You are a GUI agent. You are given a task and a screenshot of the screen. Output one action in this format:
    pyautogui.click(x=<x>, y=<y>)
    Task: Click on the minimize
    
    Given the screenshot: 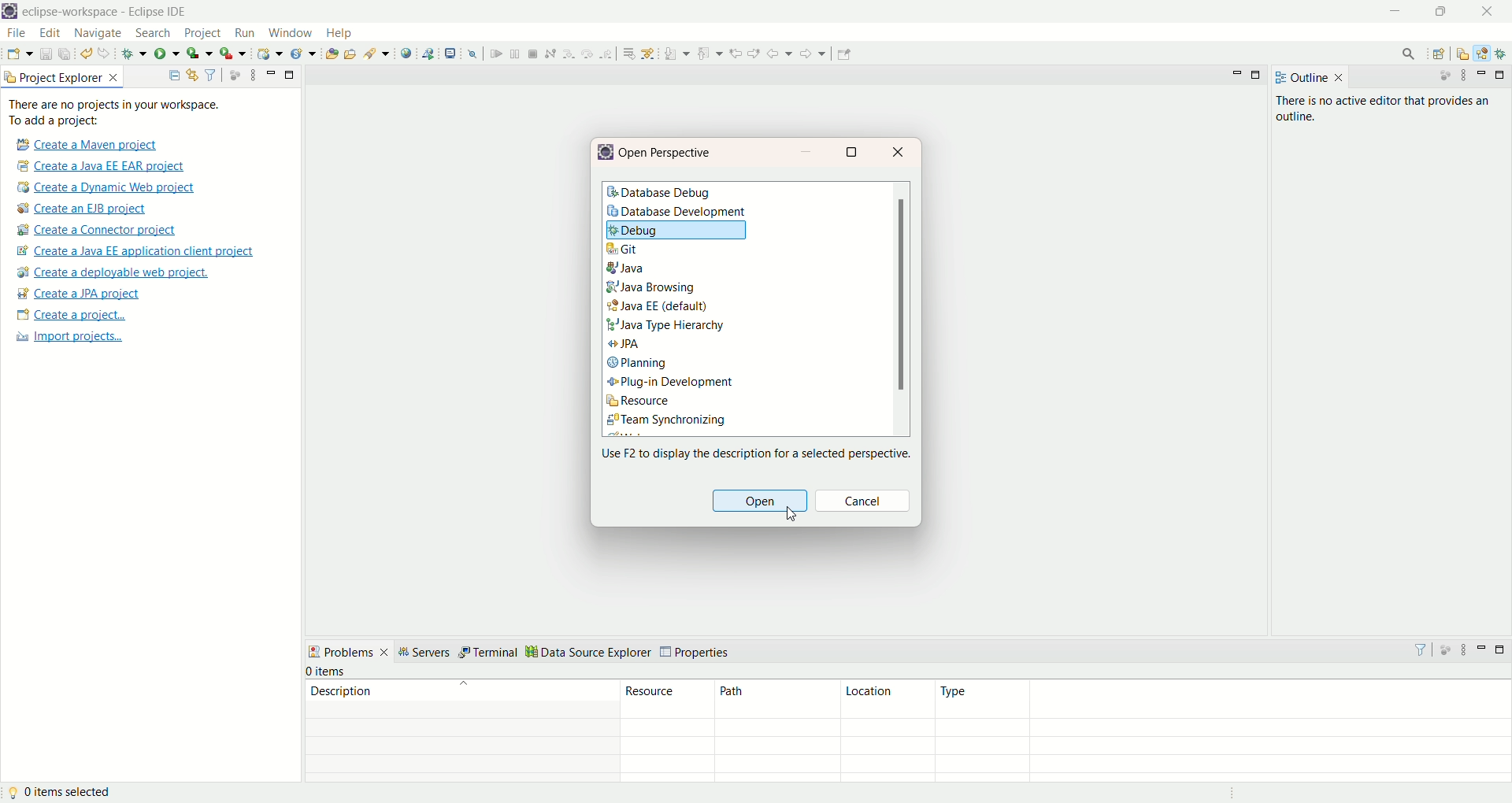 What is the action you would take?
    pyautogui.click(x=1482, y=649)
    